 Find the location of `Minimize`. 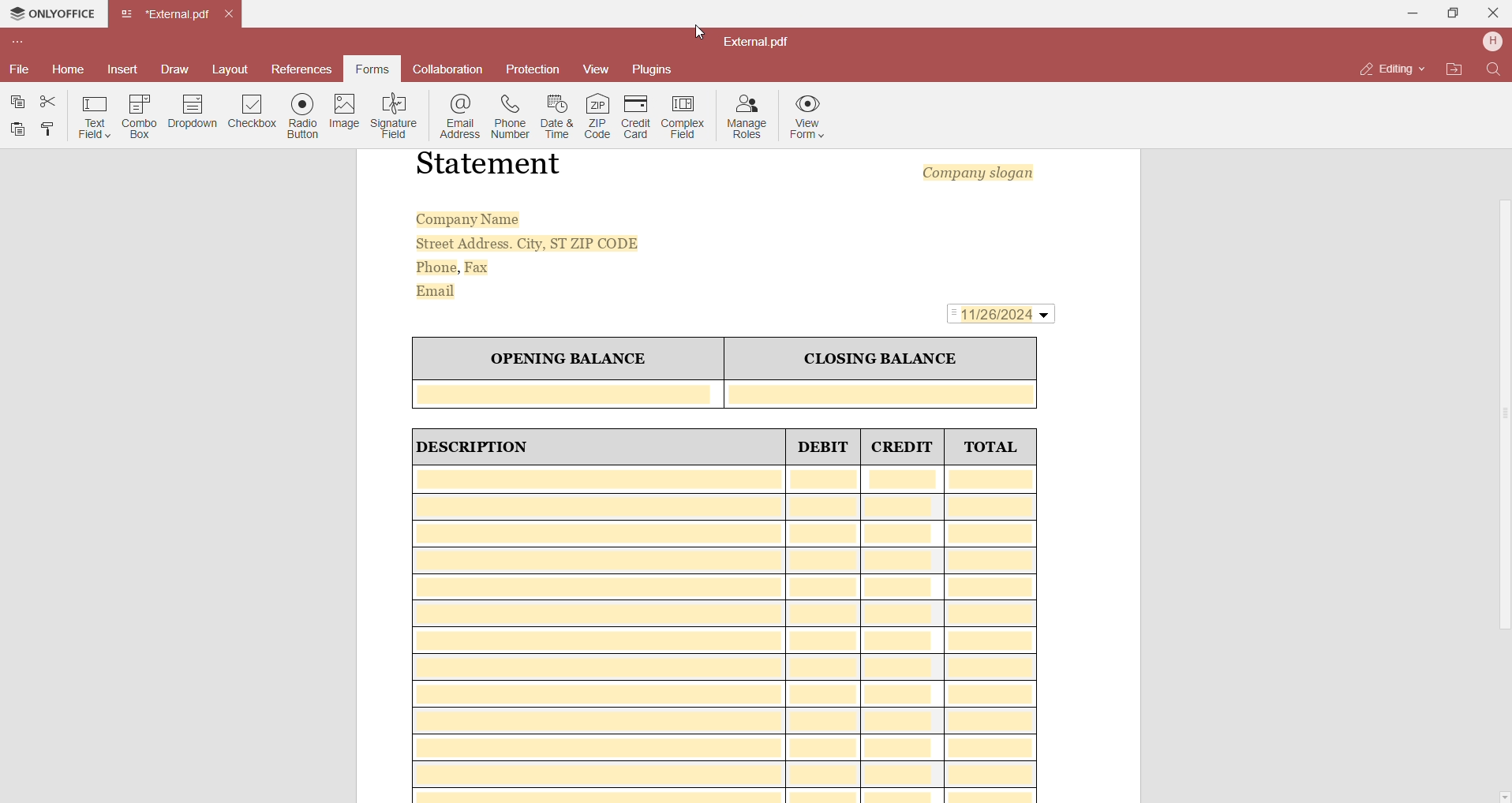

Minimize is located at coordinates (1407, 13).